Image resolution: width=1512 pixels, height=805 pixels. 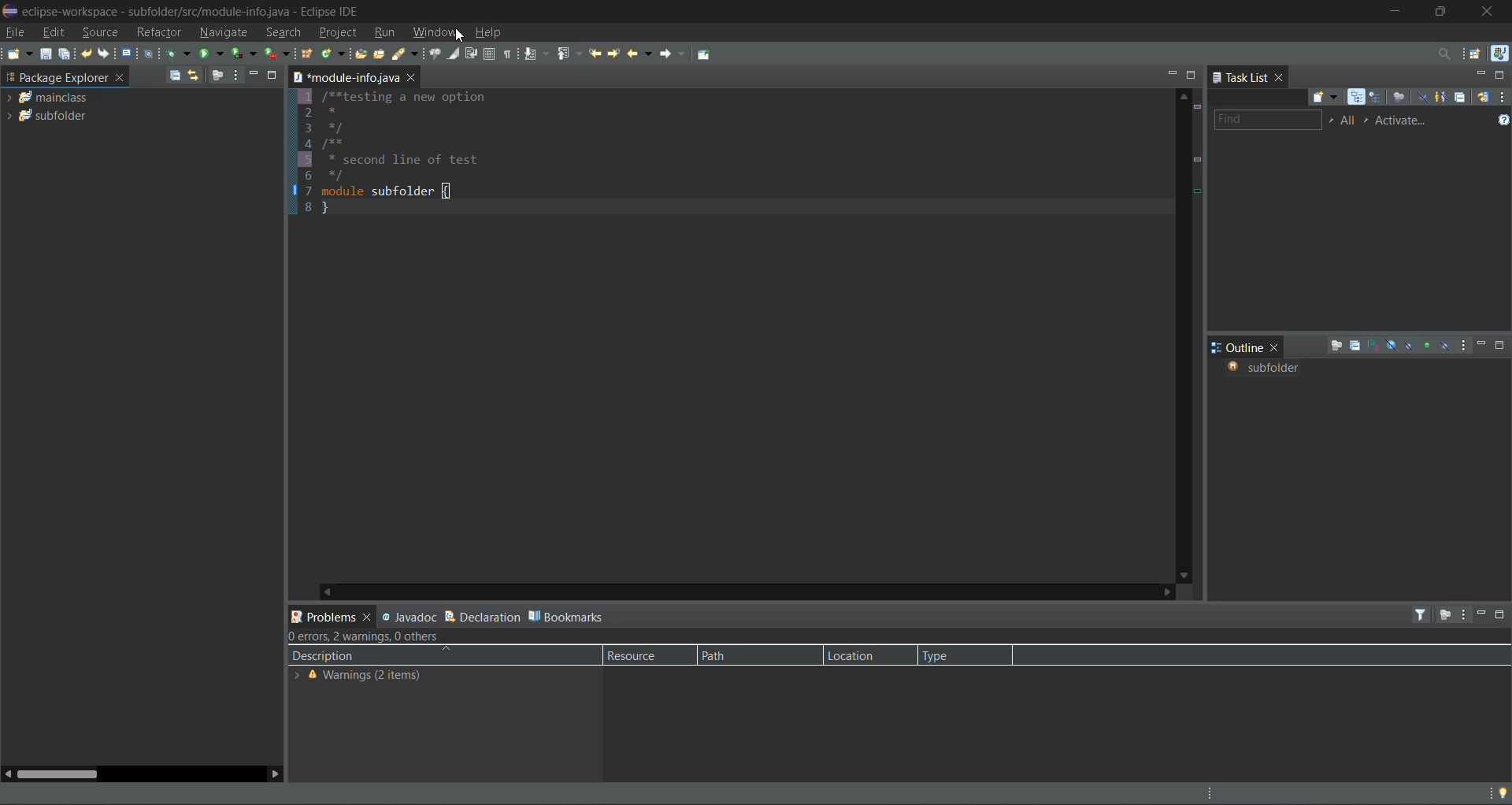 What do you see at coordinates (1495, 11) in the screenshot?
I see `close` at bounding box center [1495, 11].